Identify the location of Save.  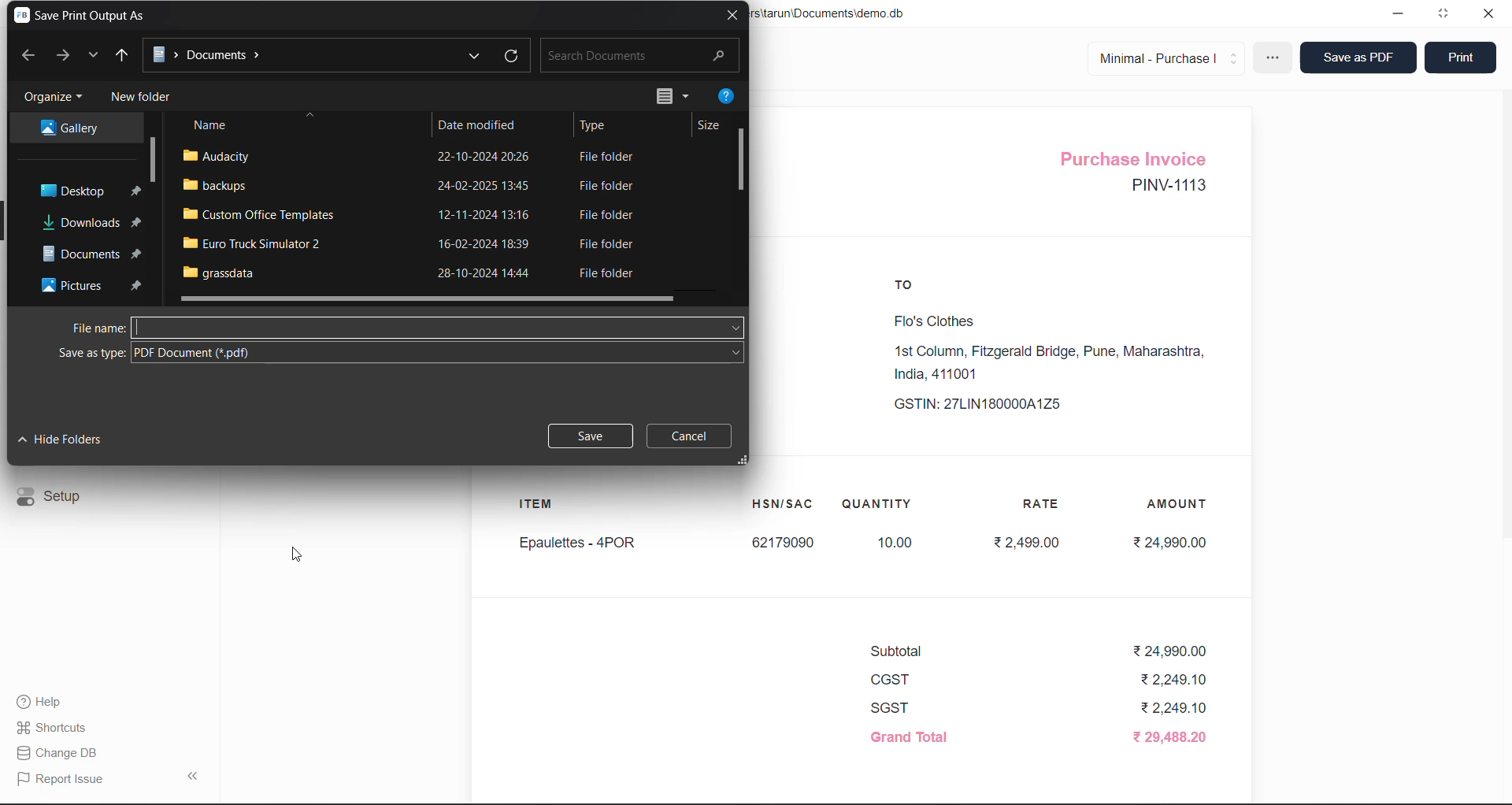
(588, 436).